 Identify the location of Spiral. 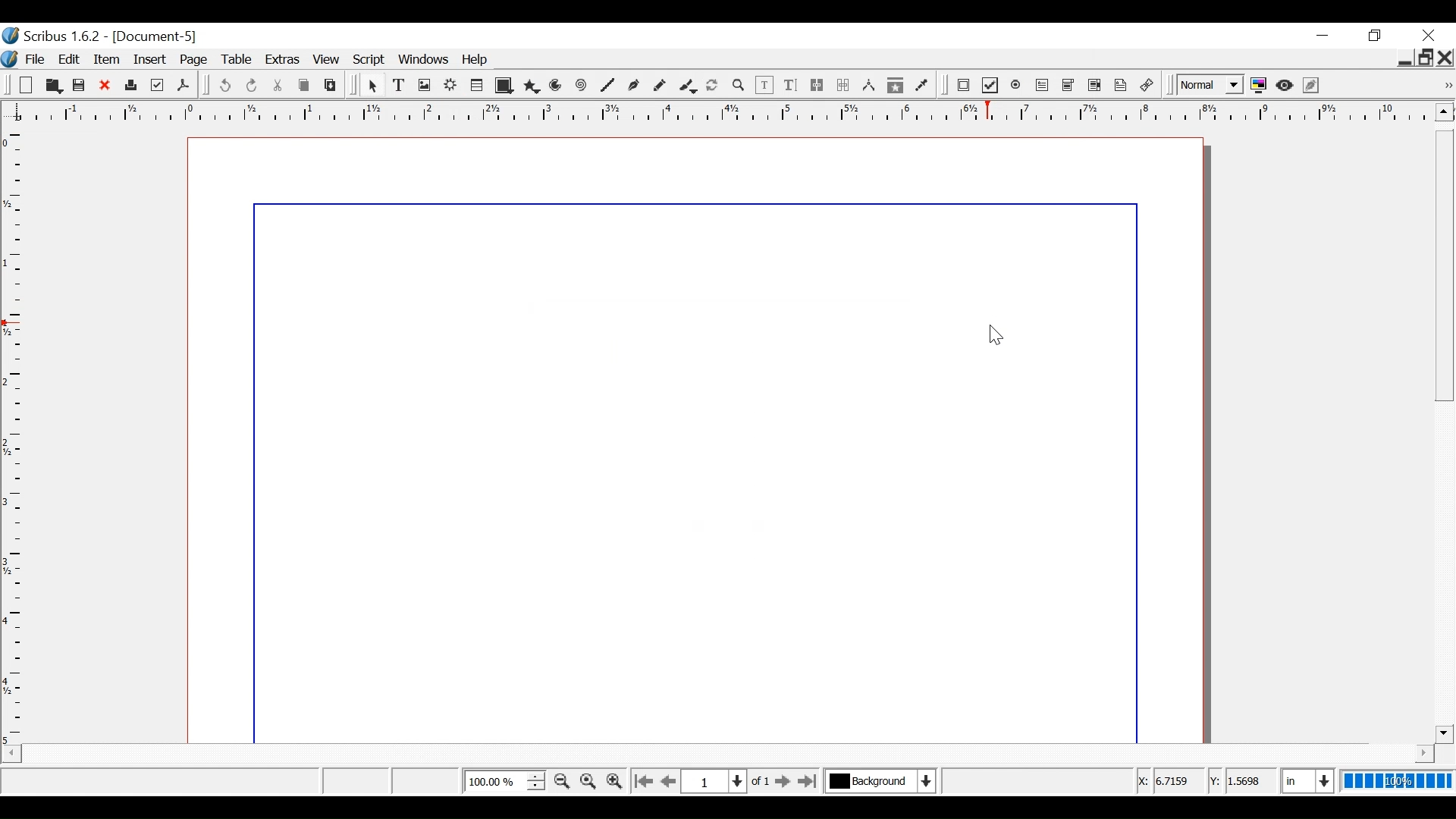
(581, 86).